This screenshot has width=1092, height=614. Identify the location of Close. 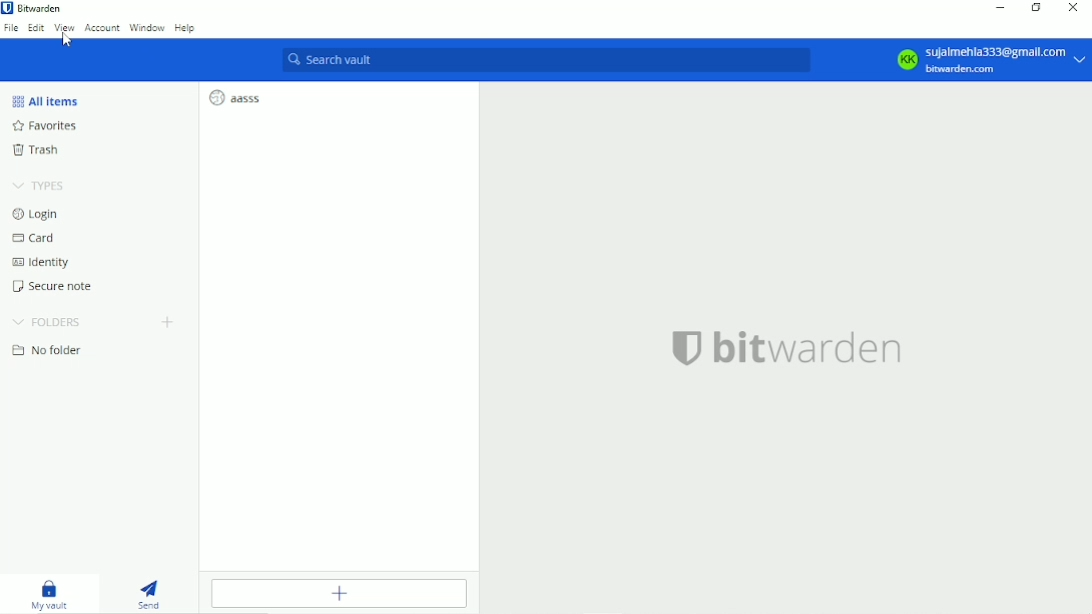
(1073, 8).